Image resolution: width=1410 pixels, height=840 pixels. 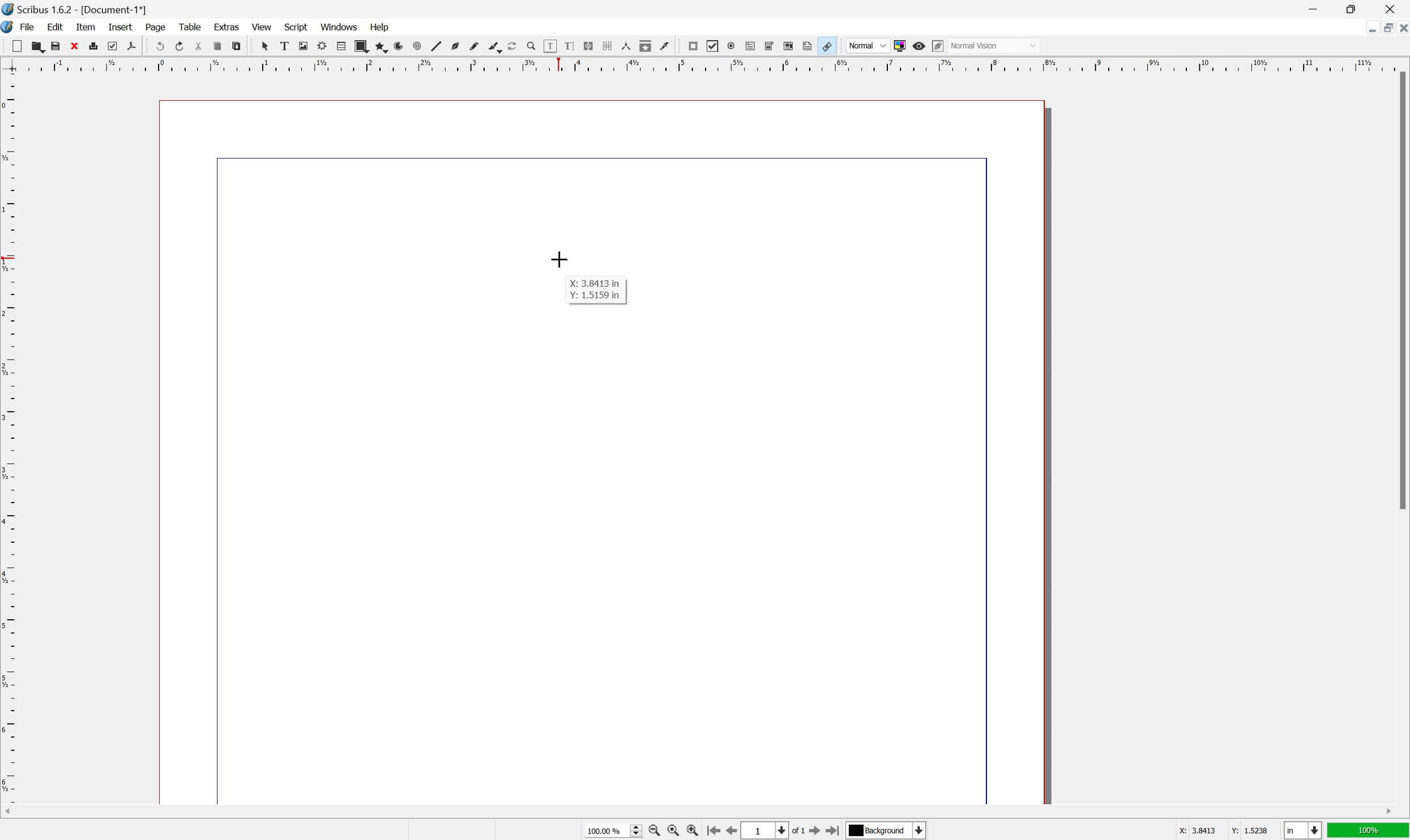 What do you see at coordinates (692, 830) in the screenshot?
I see `zoom in` at bounding box center [692, 830].